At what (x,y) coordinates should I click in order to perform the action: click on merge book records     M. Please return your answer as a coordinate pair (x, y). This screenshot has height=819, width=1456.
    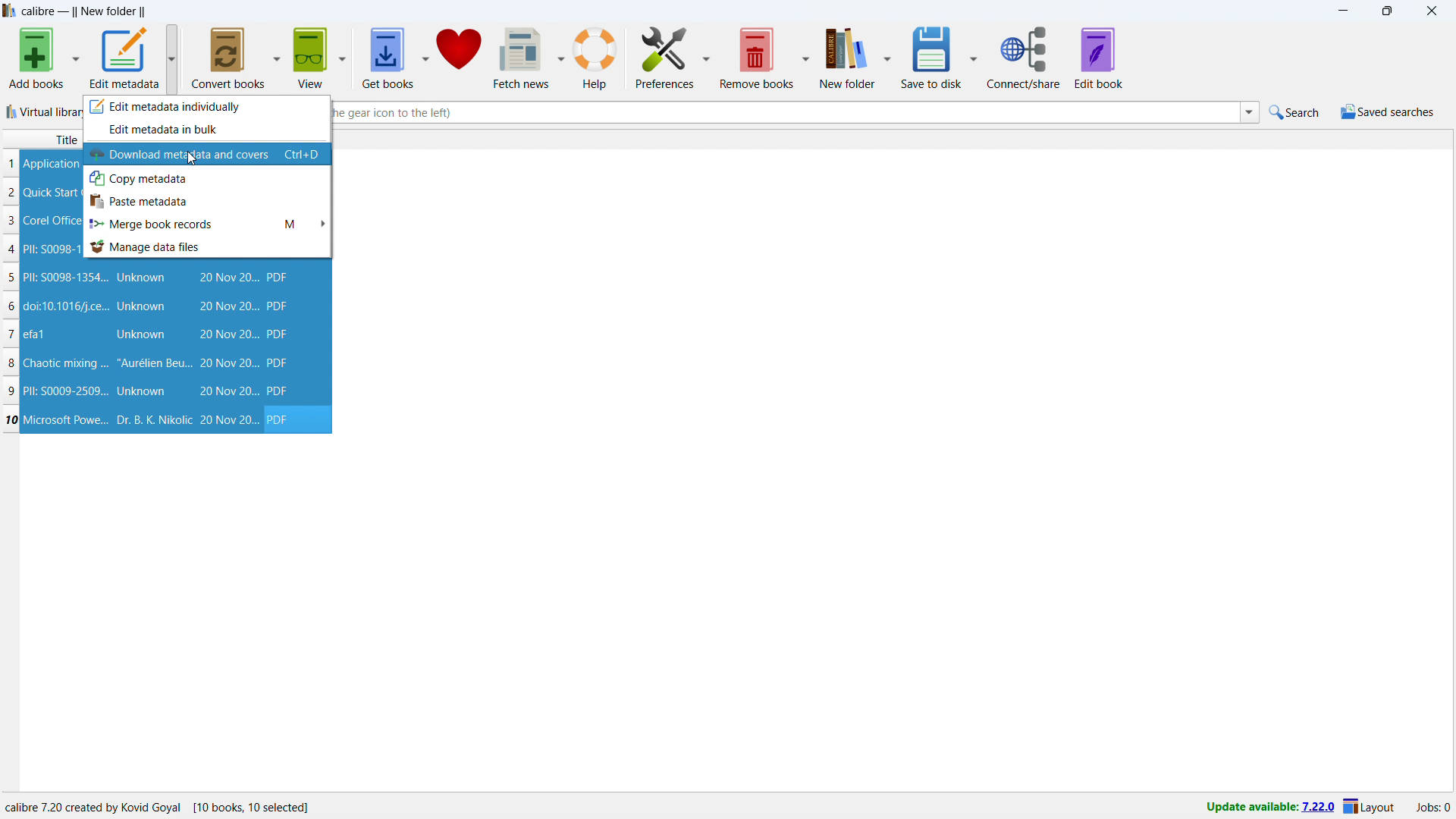
    Looking at the image, I should click on (208, 223).